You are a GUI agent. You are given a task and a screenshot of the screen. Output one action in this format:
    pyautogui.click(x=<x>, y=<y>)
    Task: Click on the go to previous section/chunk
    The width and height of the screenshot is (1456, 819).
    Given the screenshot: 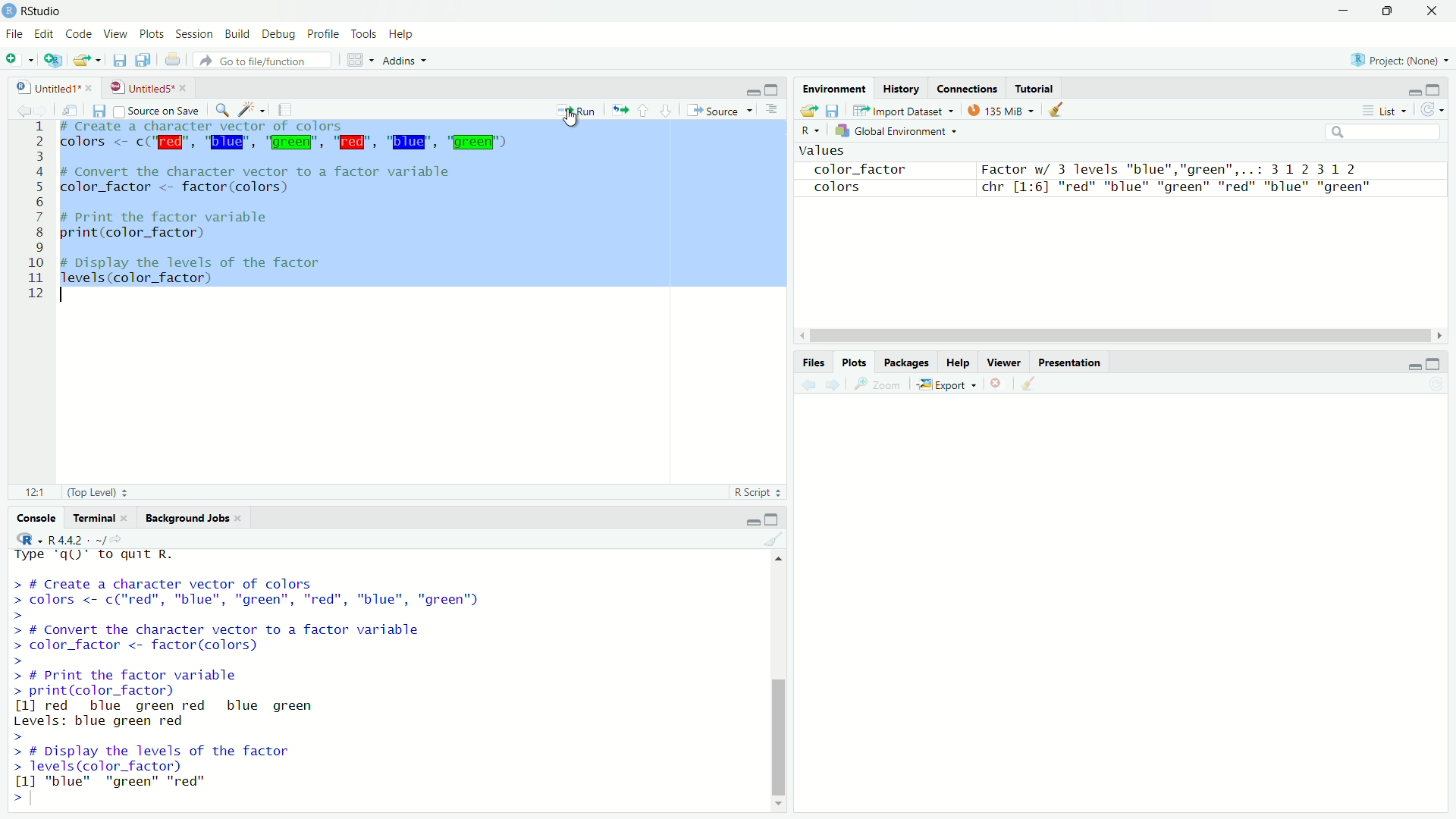 What is the action you would take?
    pyautogui.click(x=645, y=111)
    